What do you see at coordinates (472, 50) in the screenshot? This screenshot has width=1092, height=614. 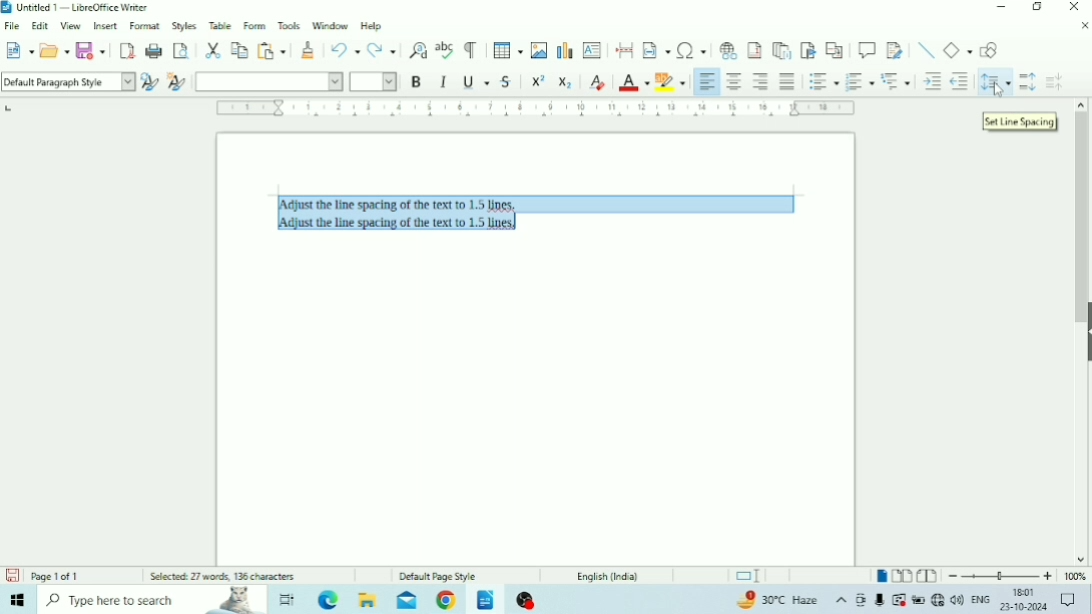 I see `Toggle Formatting Marks` at bounding box center [472, 50].